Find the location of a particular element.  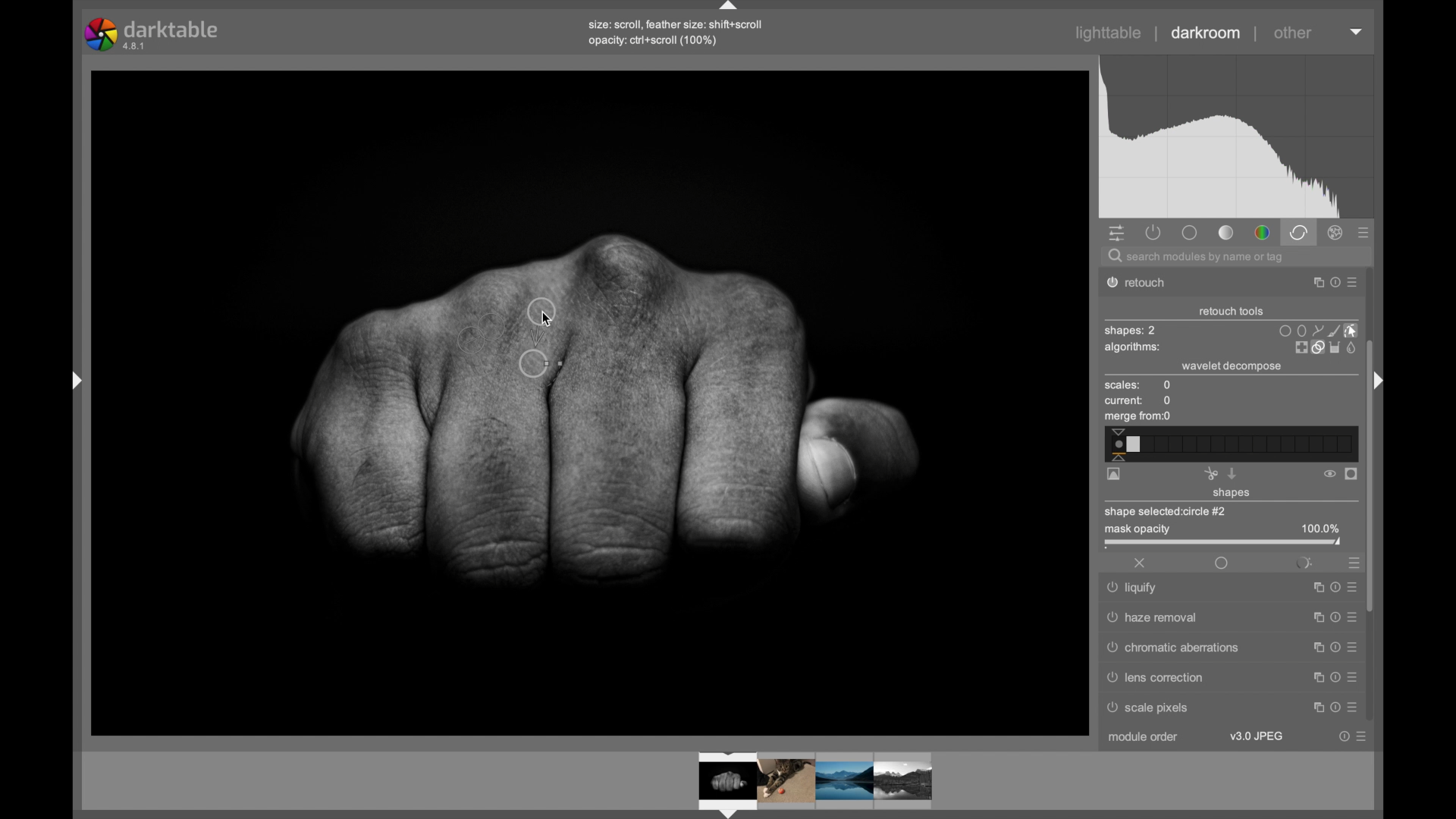

presets is located at coordinates (1351, 562).